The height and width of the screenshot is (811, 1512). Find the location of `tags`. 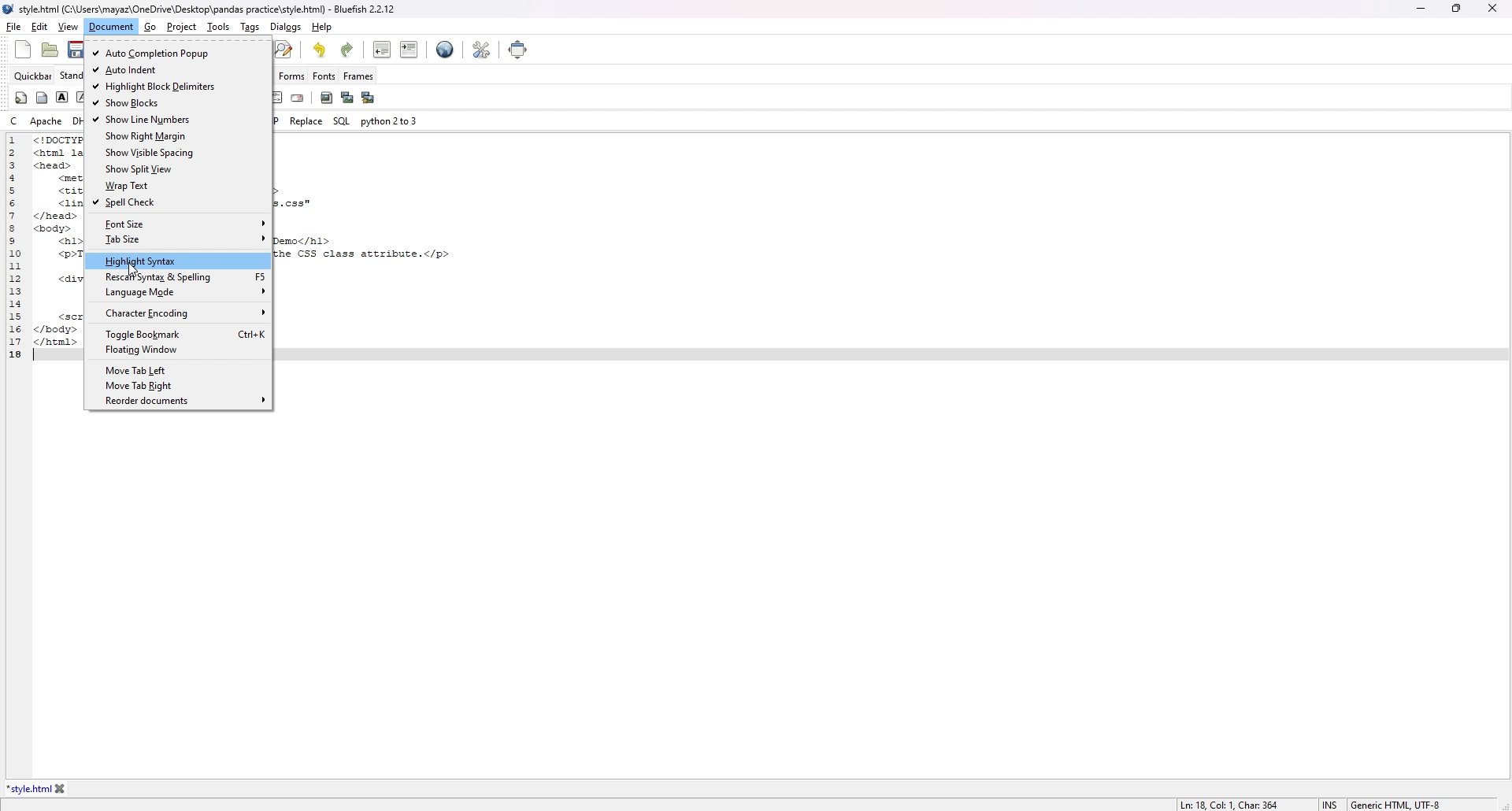

tags is located at coordinates (250, 27).